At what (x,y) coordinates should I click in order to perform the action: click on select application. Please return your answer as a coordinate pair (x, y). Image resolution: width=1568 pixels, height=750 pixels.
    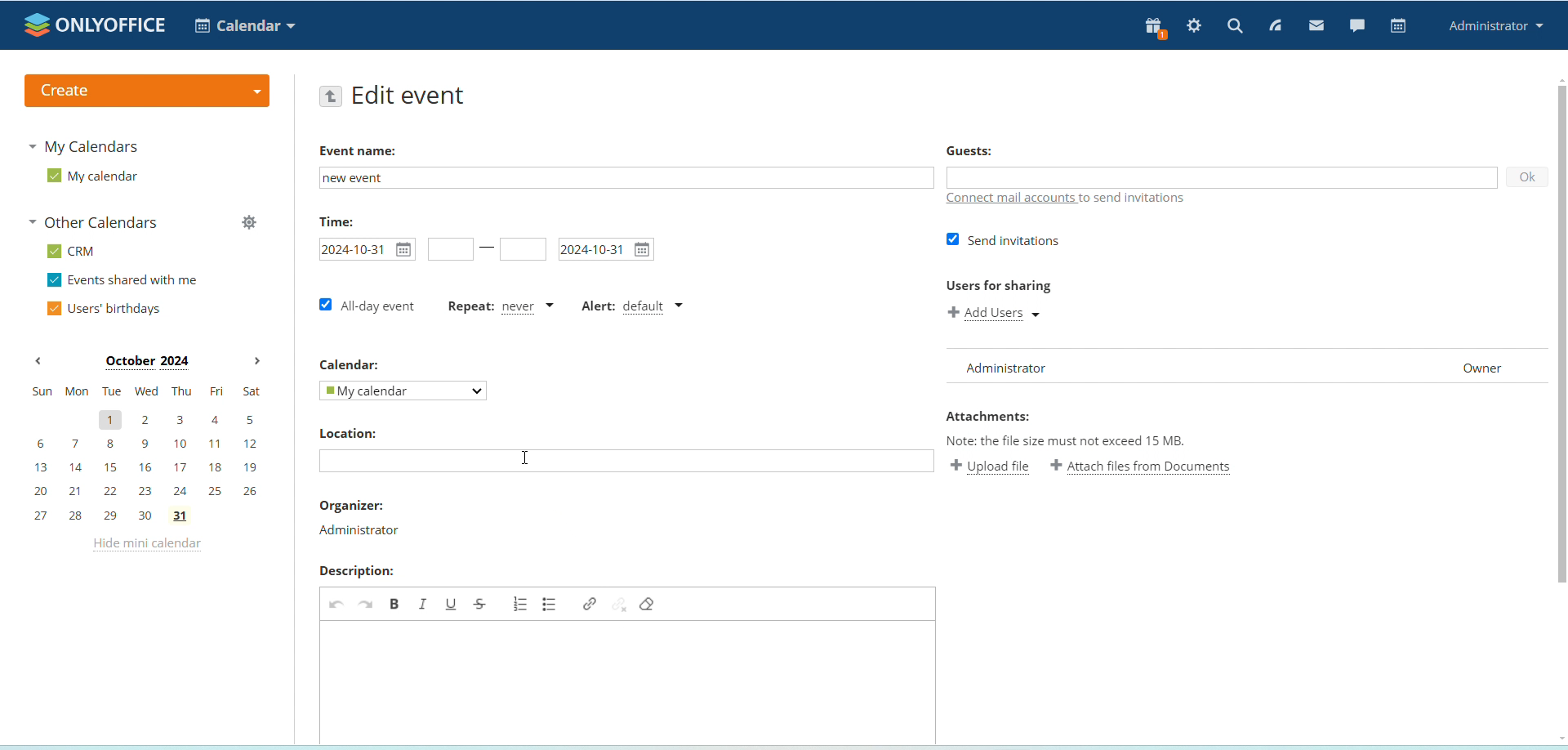
    Looking at the image, I should click on (245, 25).